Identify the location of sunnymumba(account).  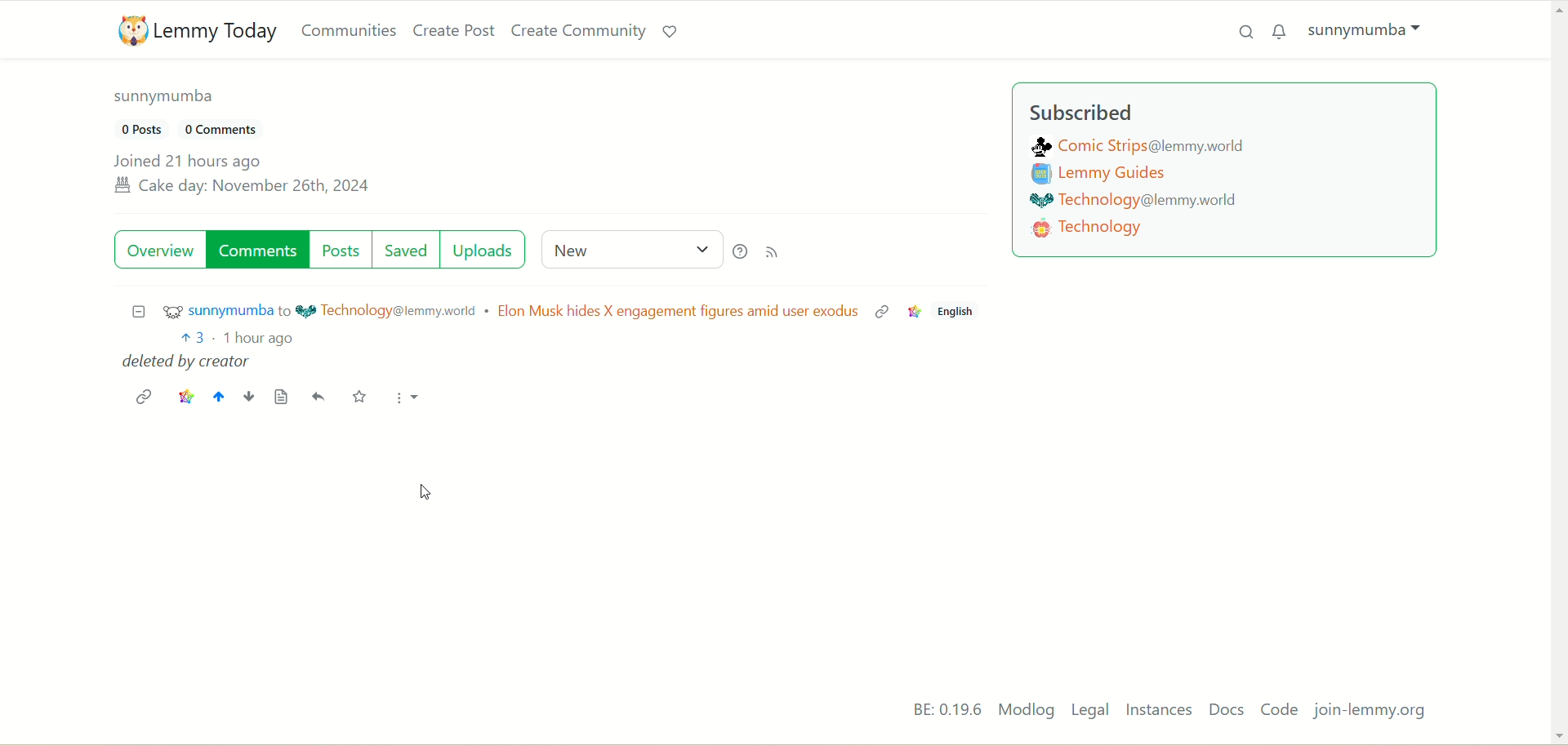
(170, 101).